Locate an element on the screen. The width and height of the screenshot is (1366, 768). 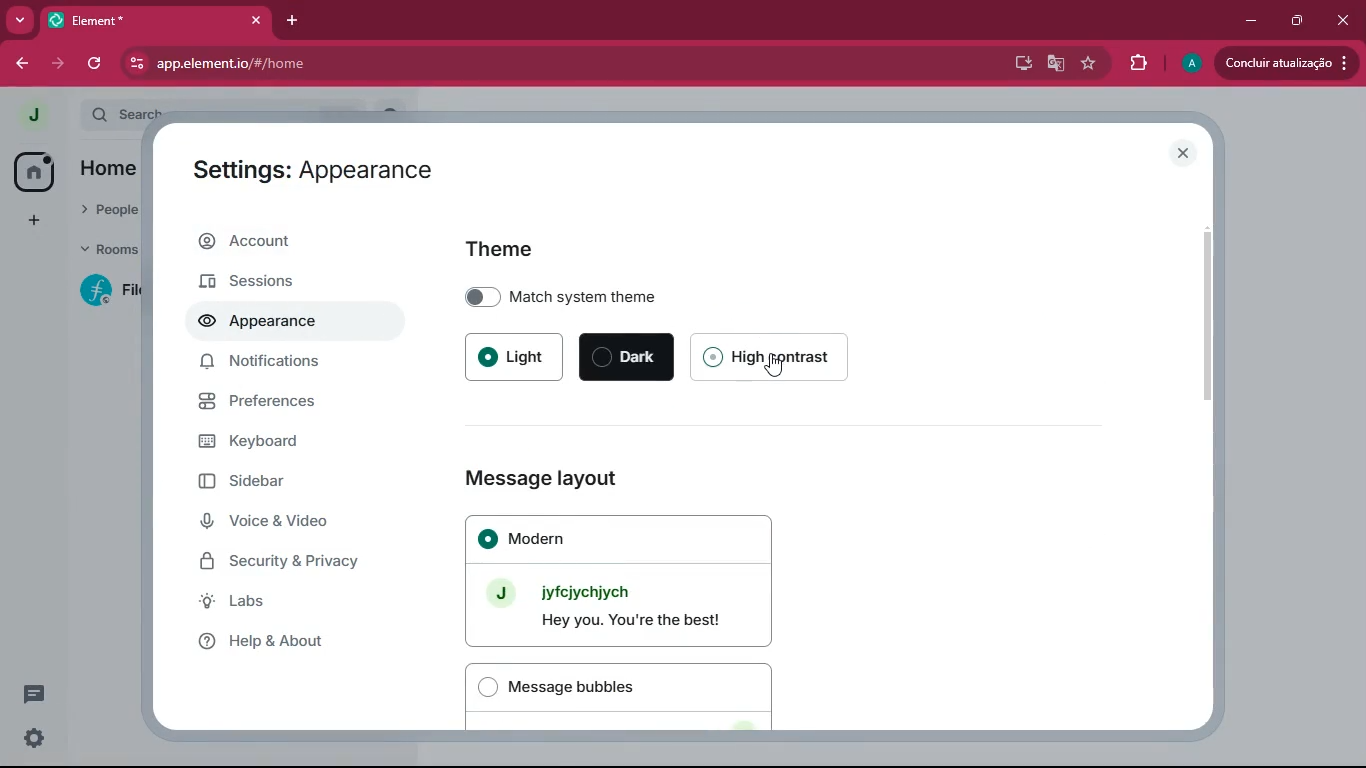
app.elementio/#/home is located at coordinates (365, 65).